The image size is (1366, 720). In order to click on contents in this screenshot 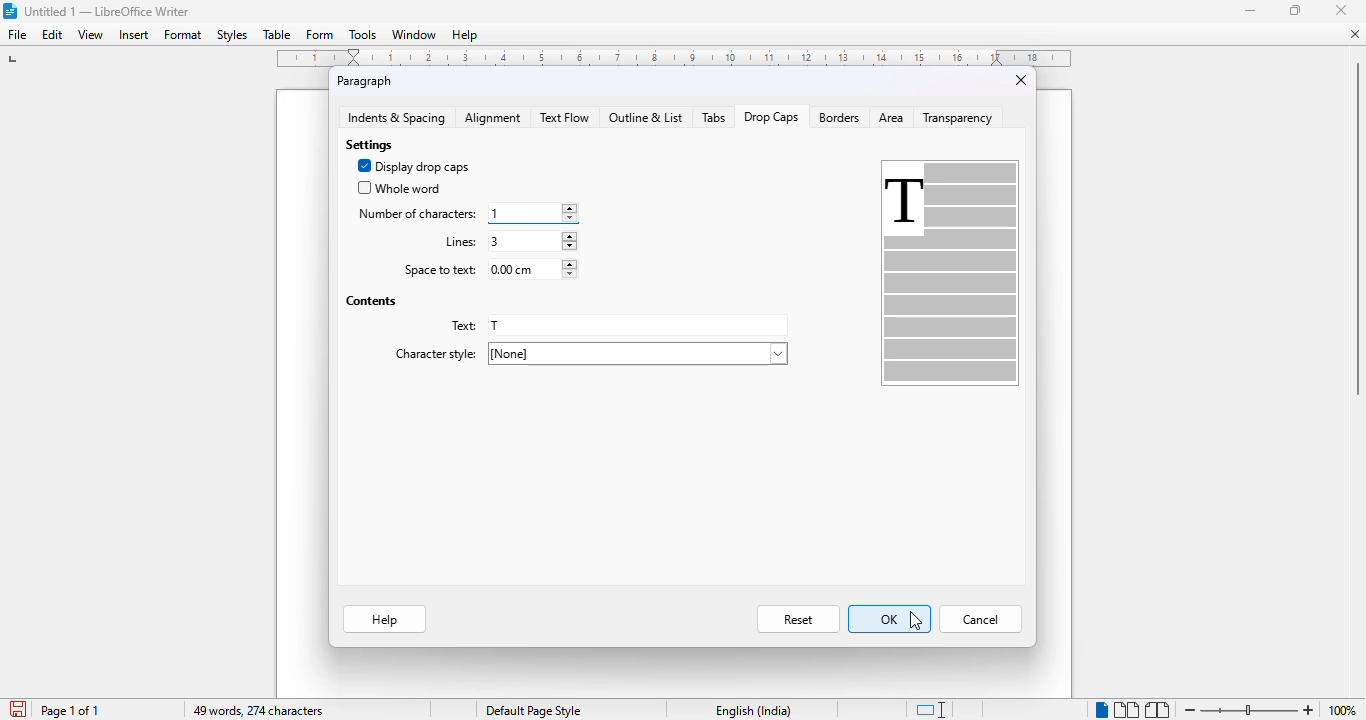, I will do `click(371, 302)`.